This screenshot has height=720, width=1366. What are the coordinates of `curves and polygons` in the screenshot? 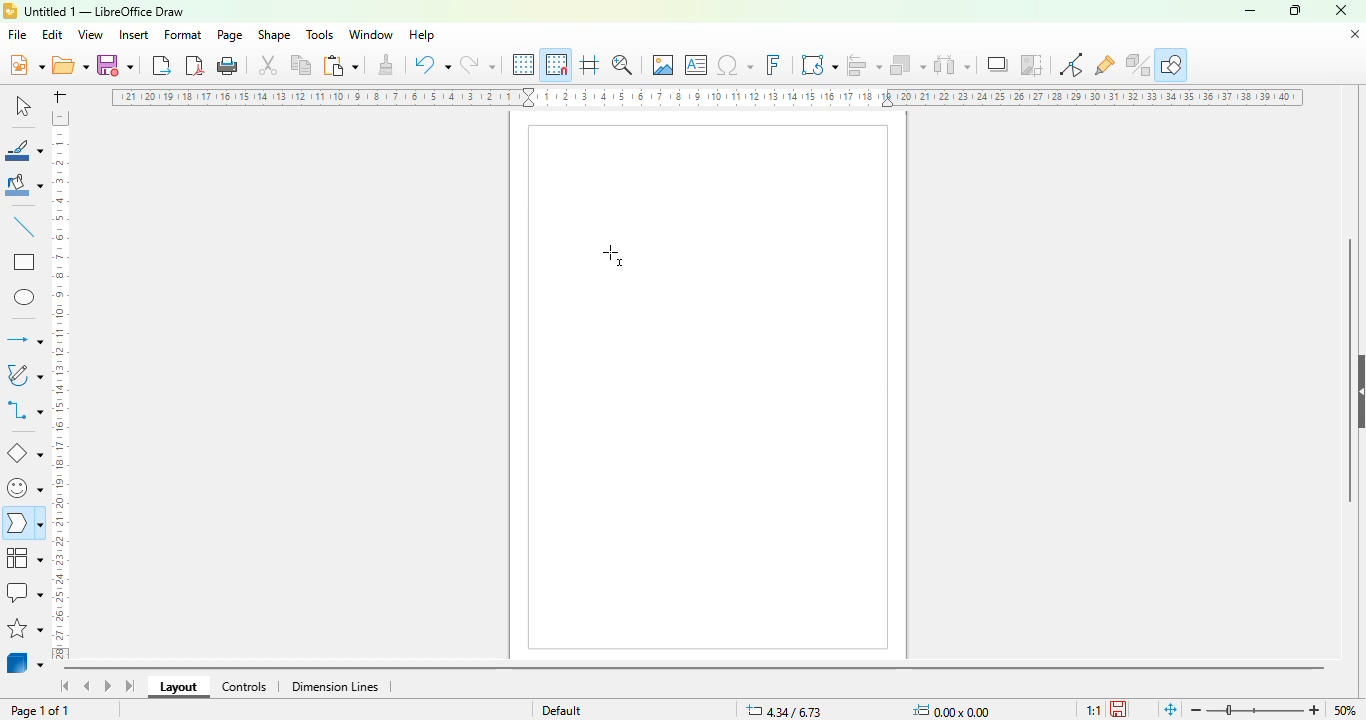 It's located at (23, 375).